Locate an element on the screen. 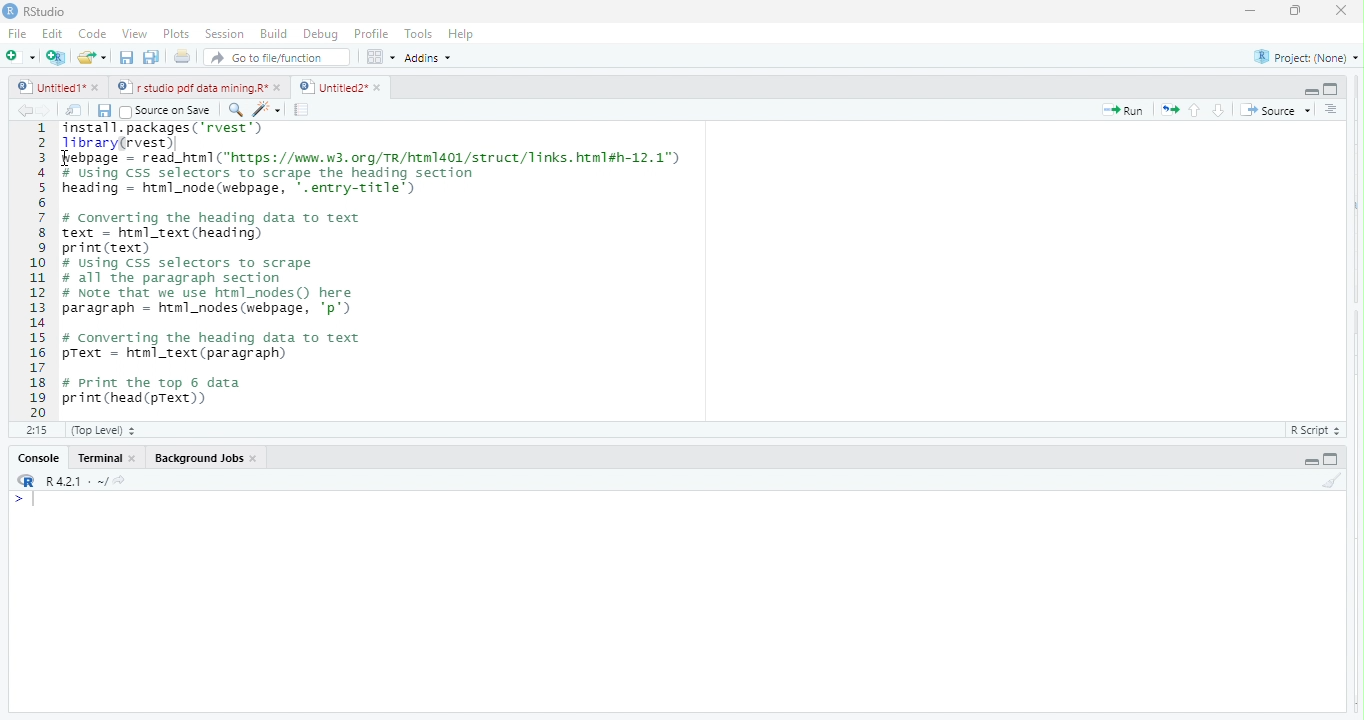 The image size is (1364, 720). hide r script is located at coordinates (1310, 461).